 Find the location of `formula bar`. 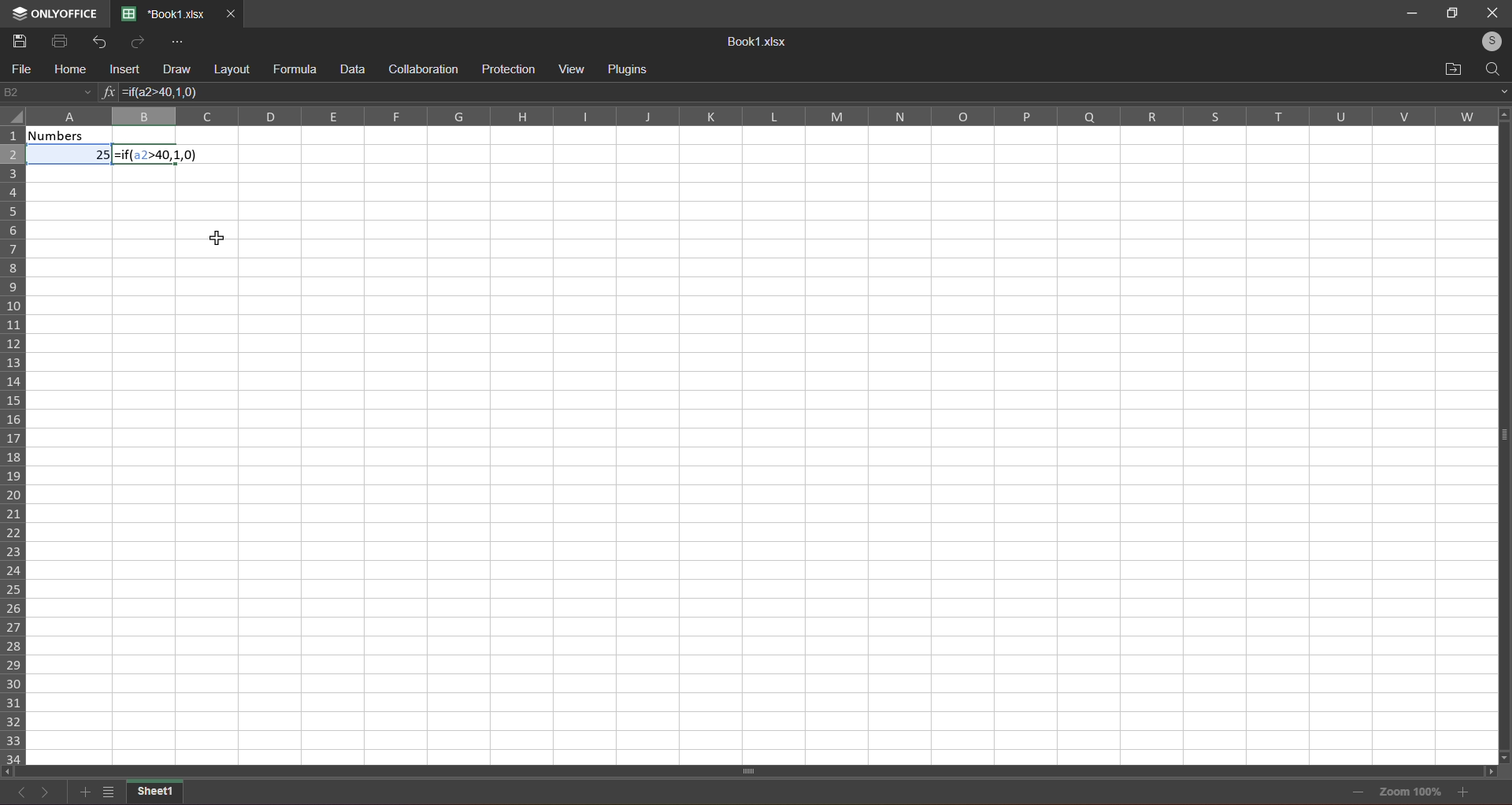

formula bar is located at coordinates (909, 91).